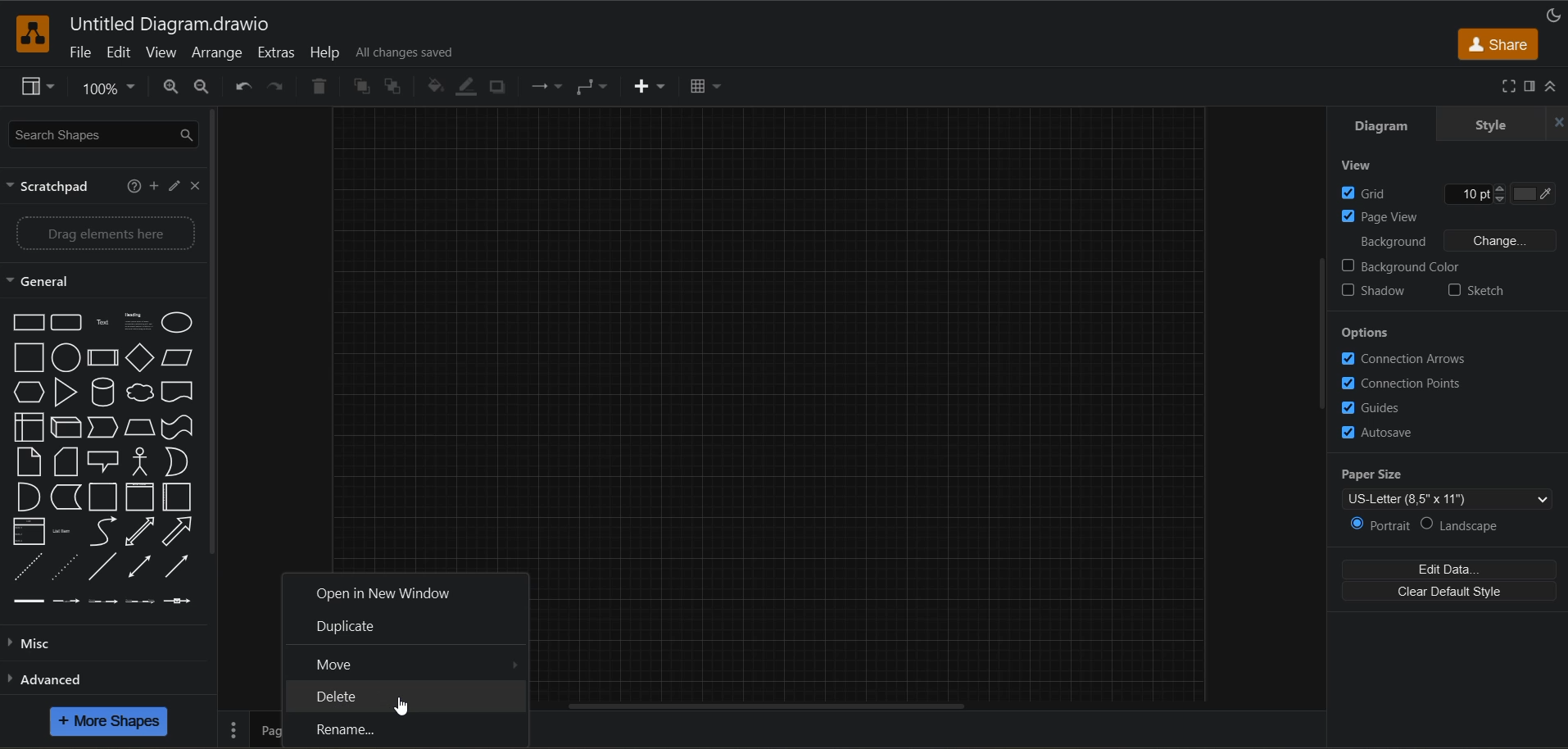  Describe the element at coordinates (105, 136) in the screenshot. I see `search shapes` at that location.